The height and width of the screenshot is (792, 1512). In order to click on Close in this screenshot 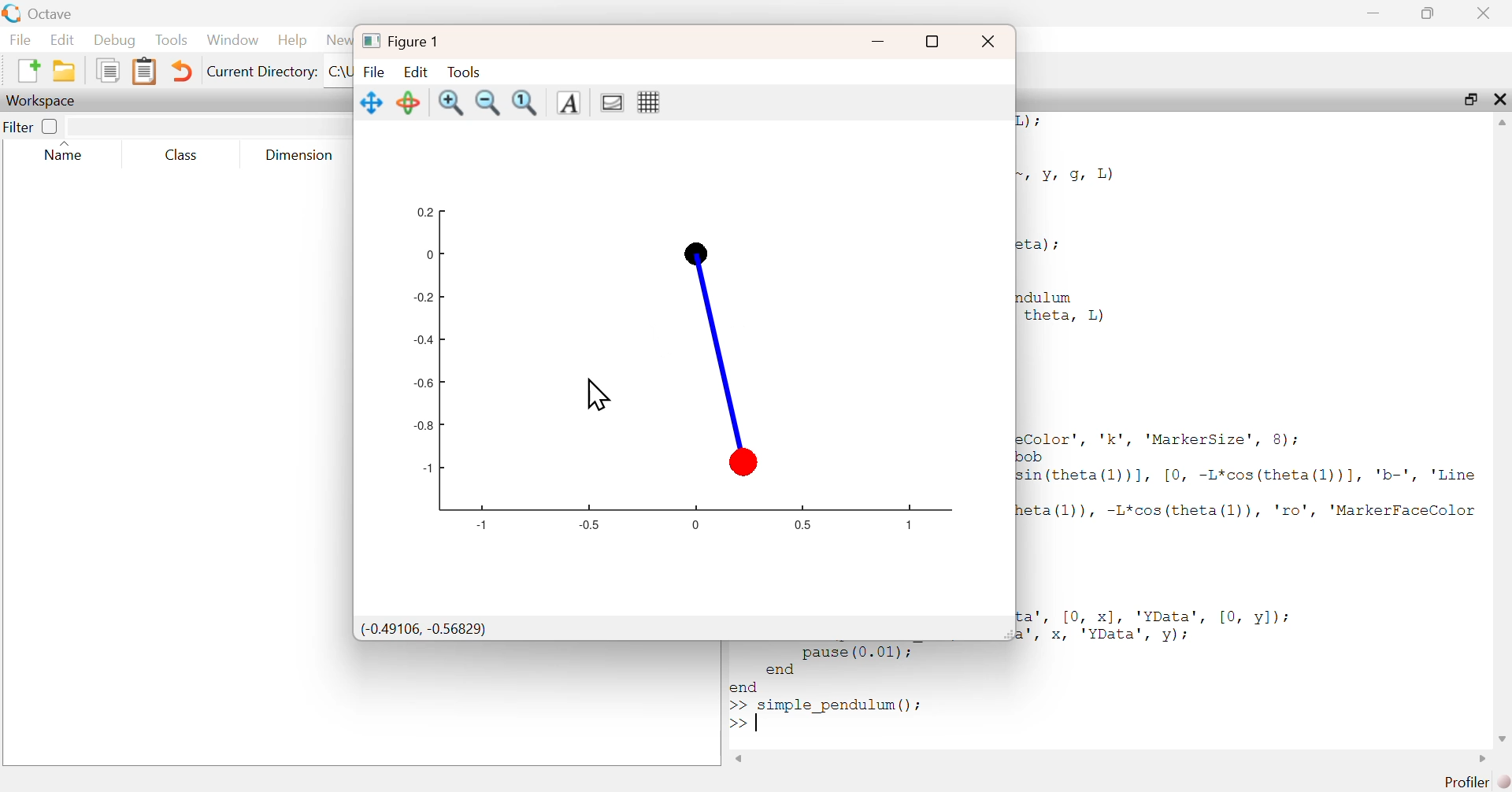, I will do `click(1482, 13)`.